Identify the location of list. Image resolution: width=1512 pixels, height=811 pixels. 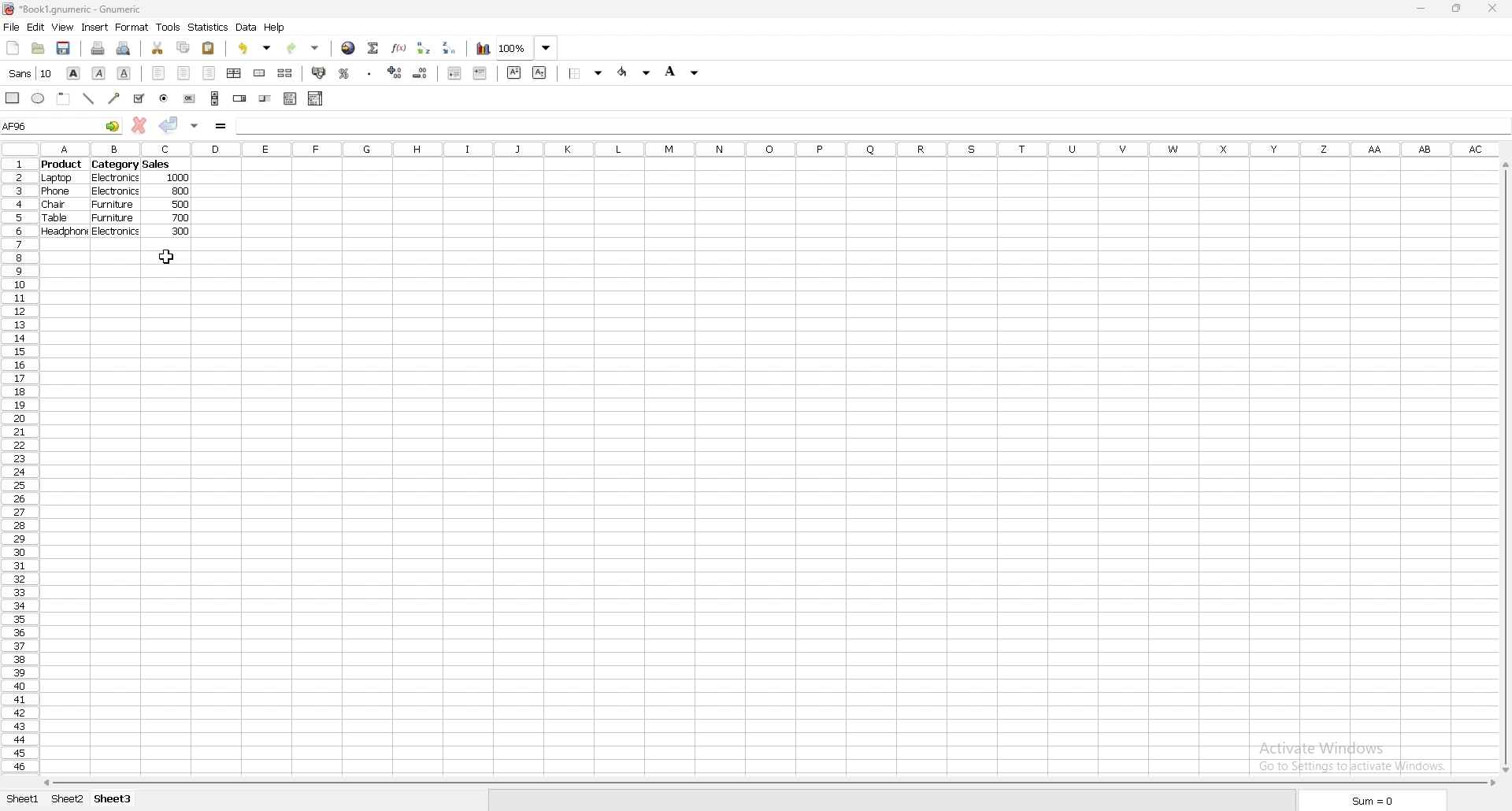
(290, 98).